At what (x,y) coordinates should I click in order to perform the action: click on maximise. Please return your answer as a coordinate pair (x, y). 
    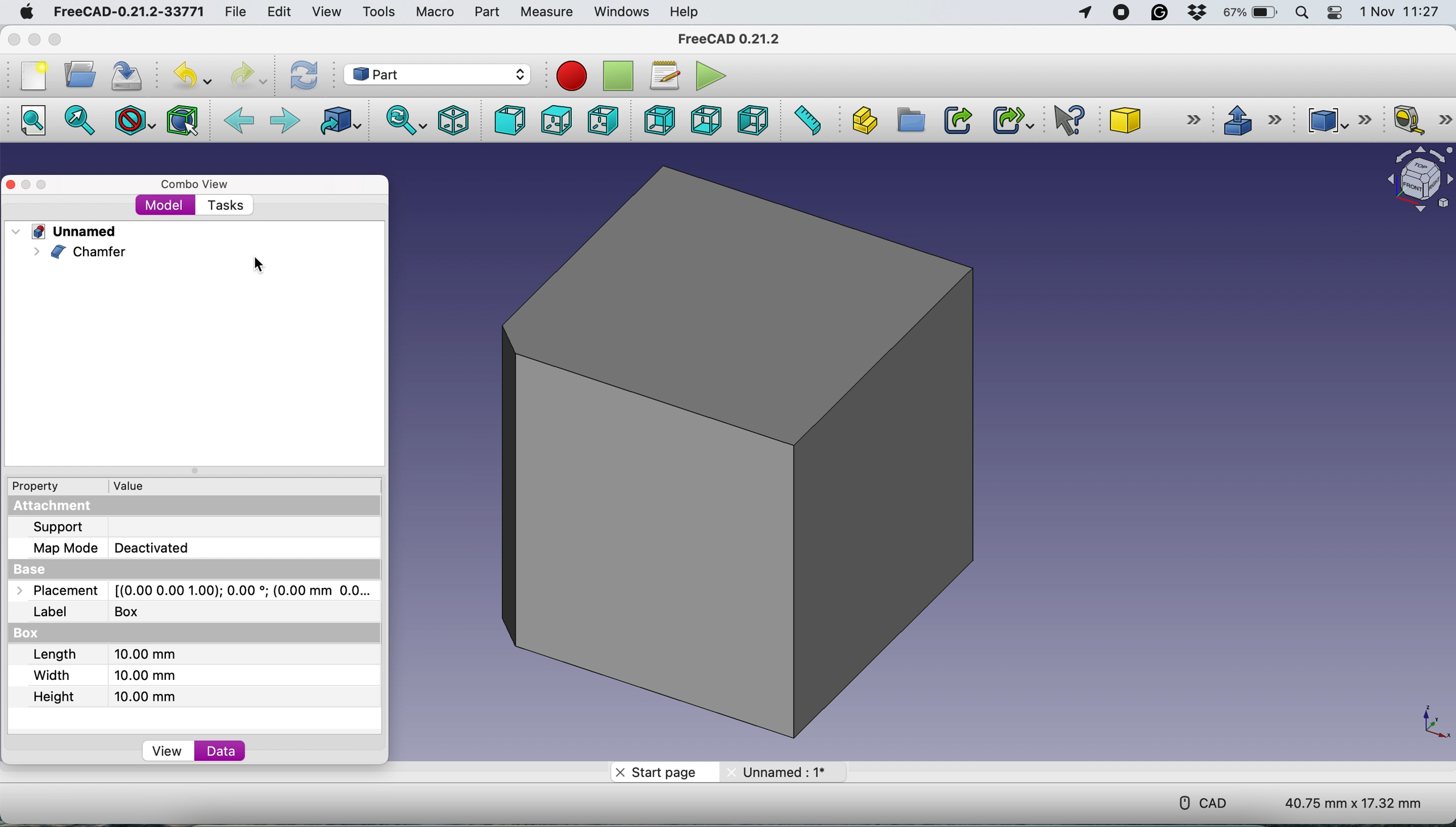
    Looking at the image, I should click on (45, 186).